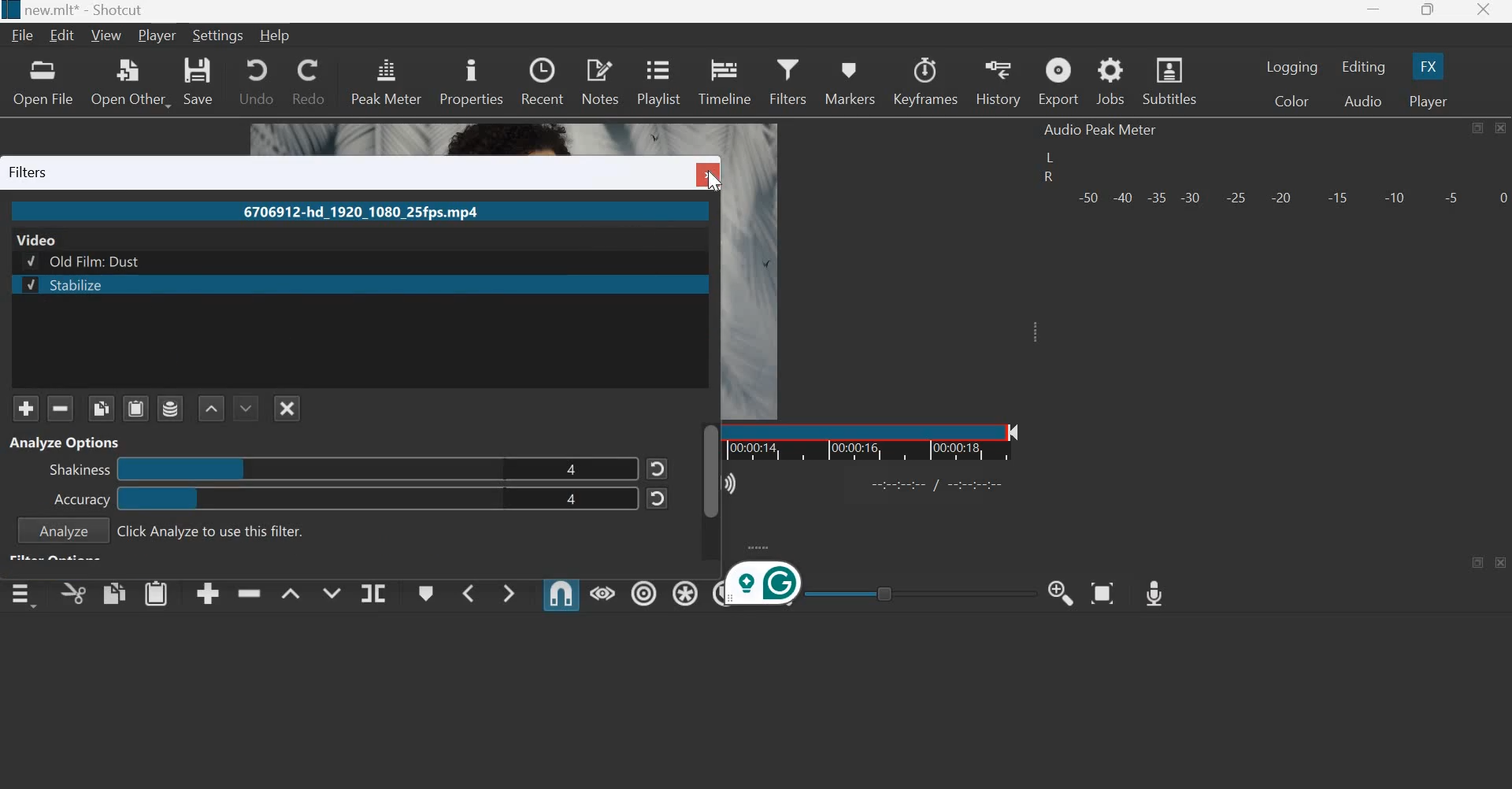 The width and height of the screenshot is (1512, 789). What do you see at coordinates (87, 261) in the screenshot?
I see `Old film: Dust` at bounding box center [87, 261].